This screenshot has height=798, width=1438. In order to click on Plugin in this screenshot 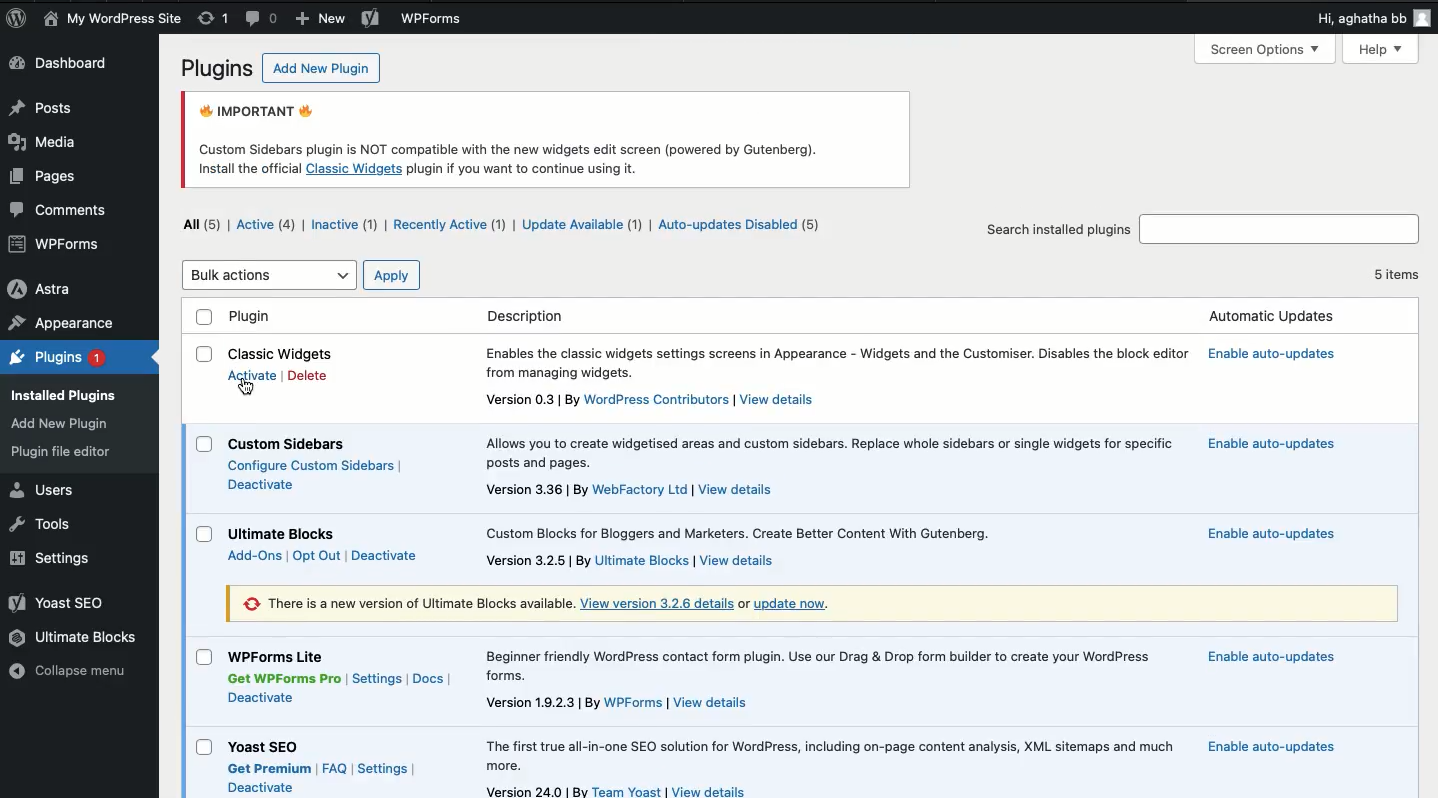, I will do `click(764, 317)`.